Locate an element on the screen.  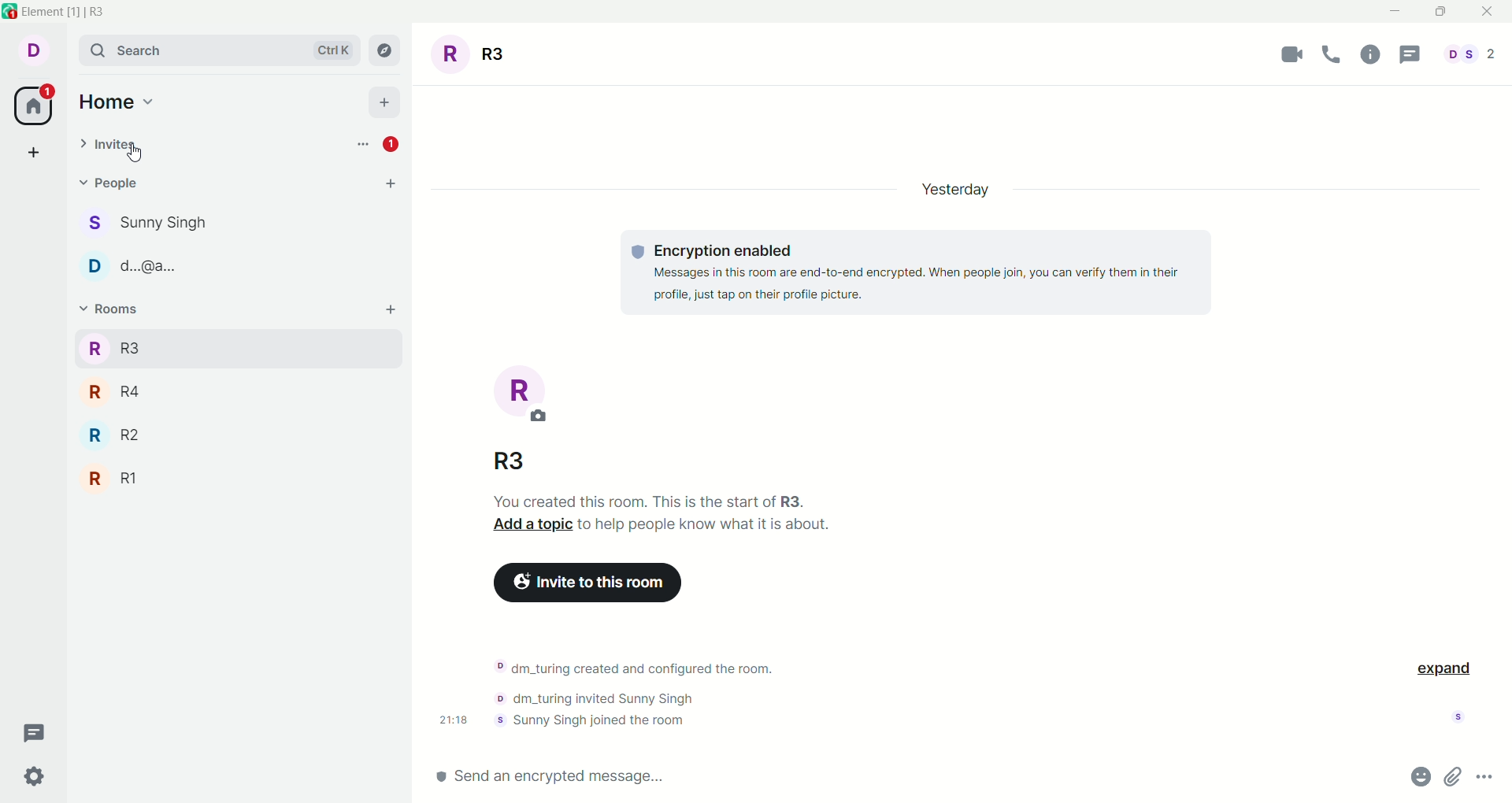
attachment is located at coordinates (1455, 779).